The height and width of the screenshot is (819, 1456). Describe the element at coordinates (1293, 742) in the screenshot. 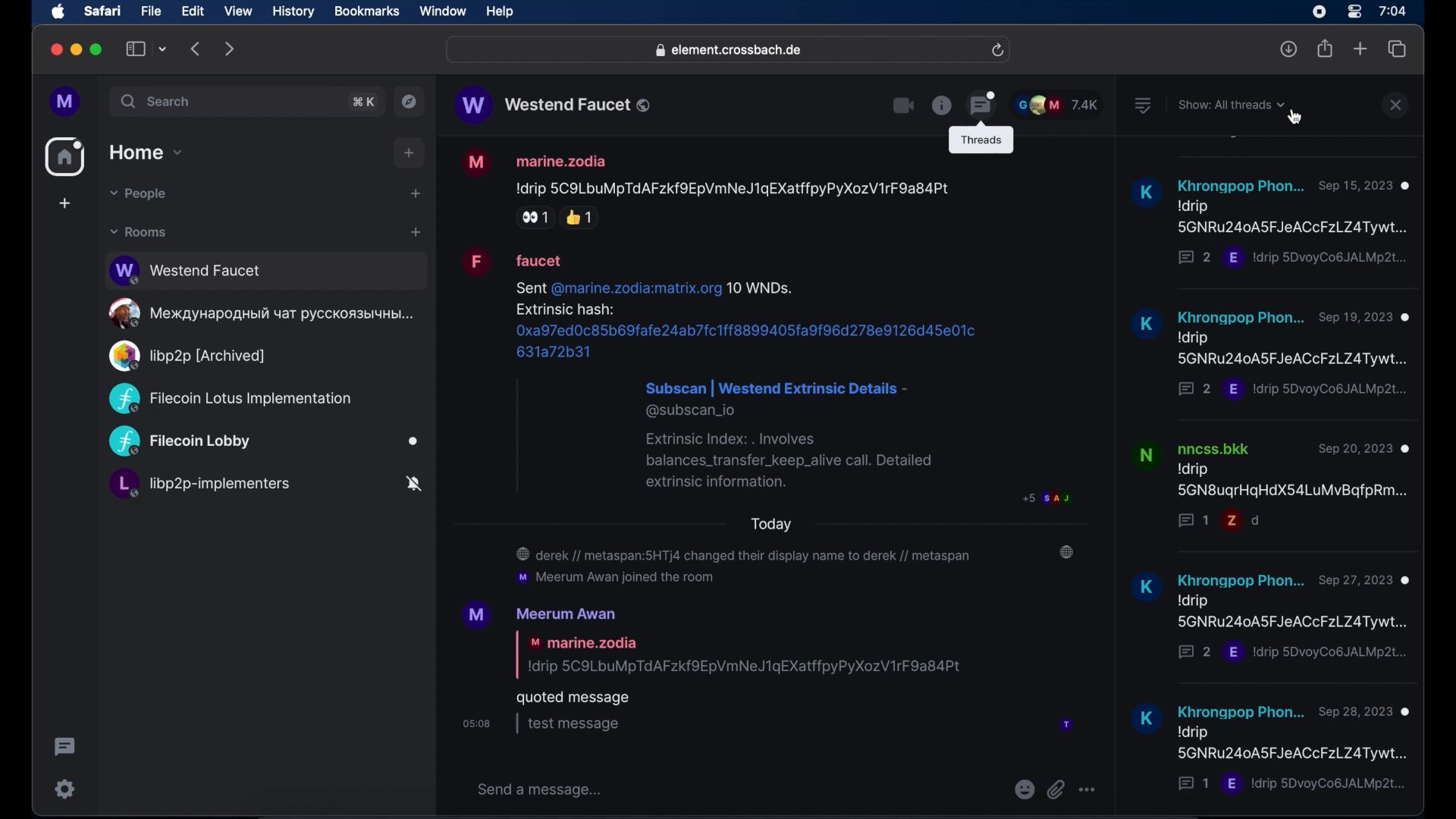

I see `\drip
5GNRu240A5FJeACCFzLZ4Tywt...` at that location.